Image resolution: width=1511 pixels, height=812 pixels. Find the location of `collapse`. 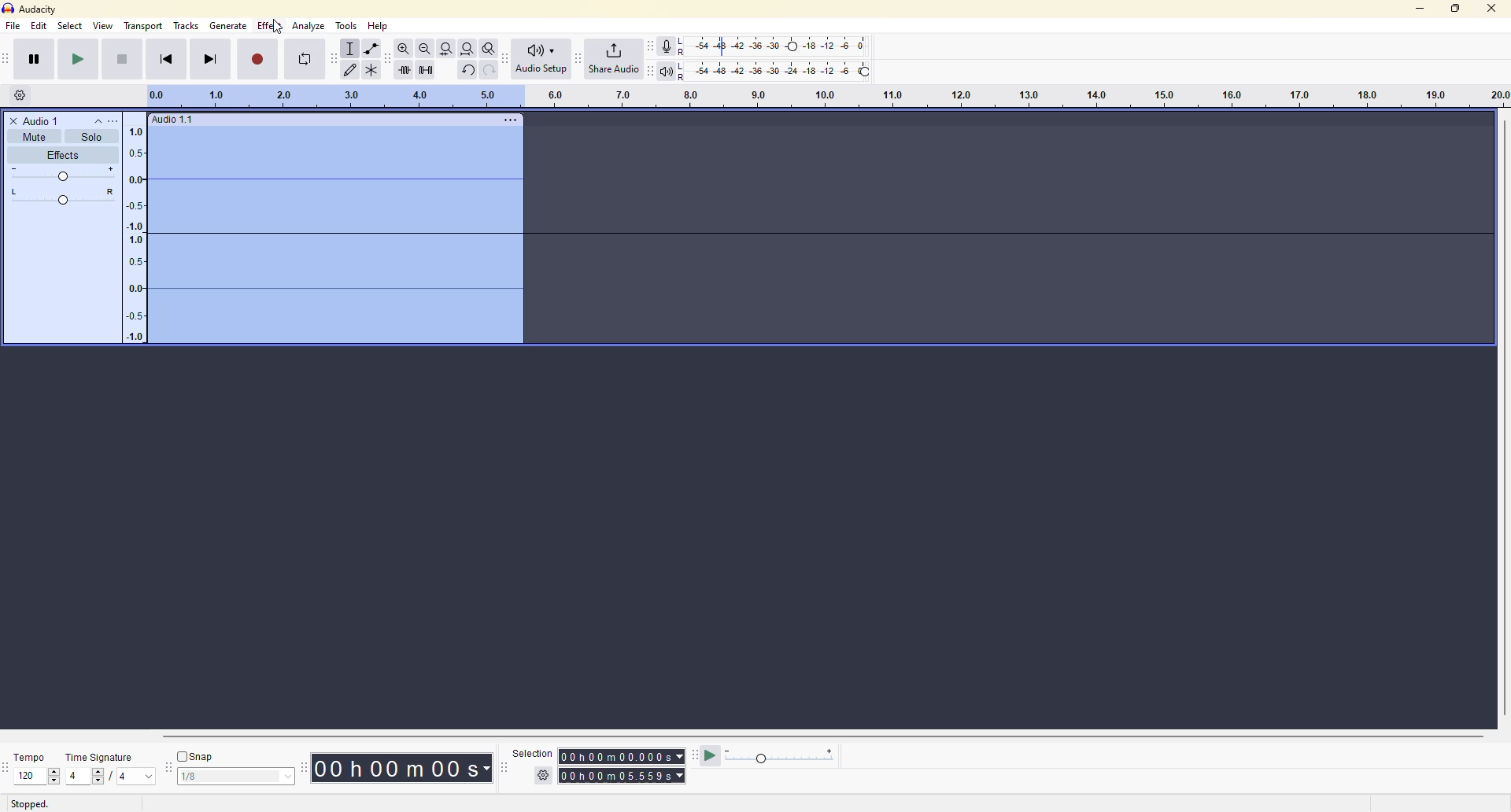

collapse is located at coordinates (98, 120).